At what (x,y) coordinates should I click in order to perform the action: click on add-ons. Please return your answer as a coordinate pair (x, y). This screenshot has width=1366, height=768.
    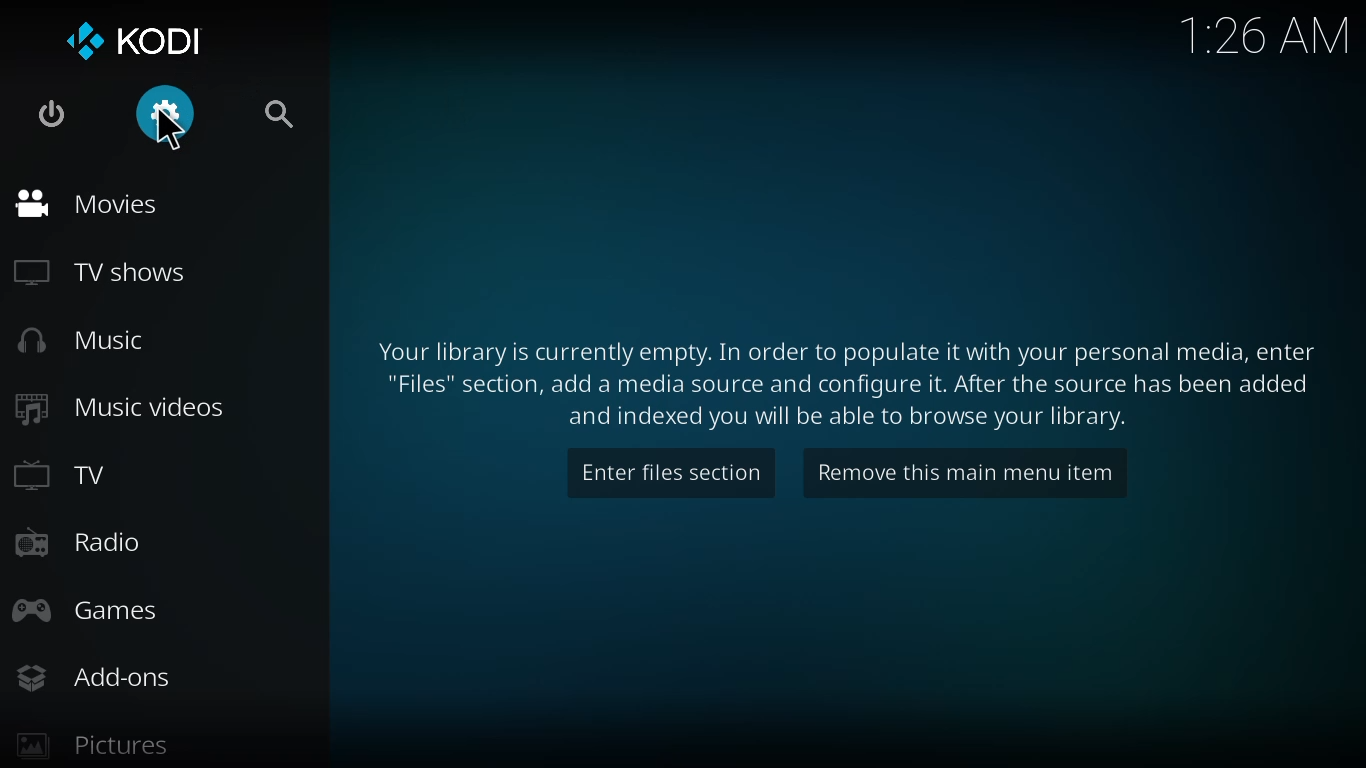
    Looking at the image, I should click on (100, 678).